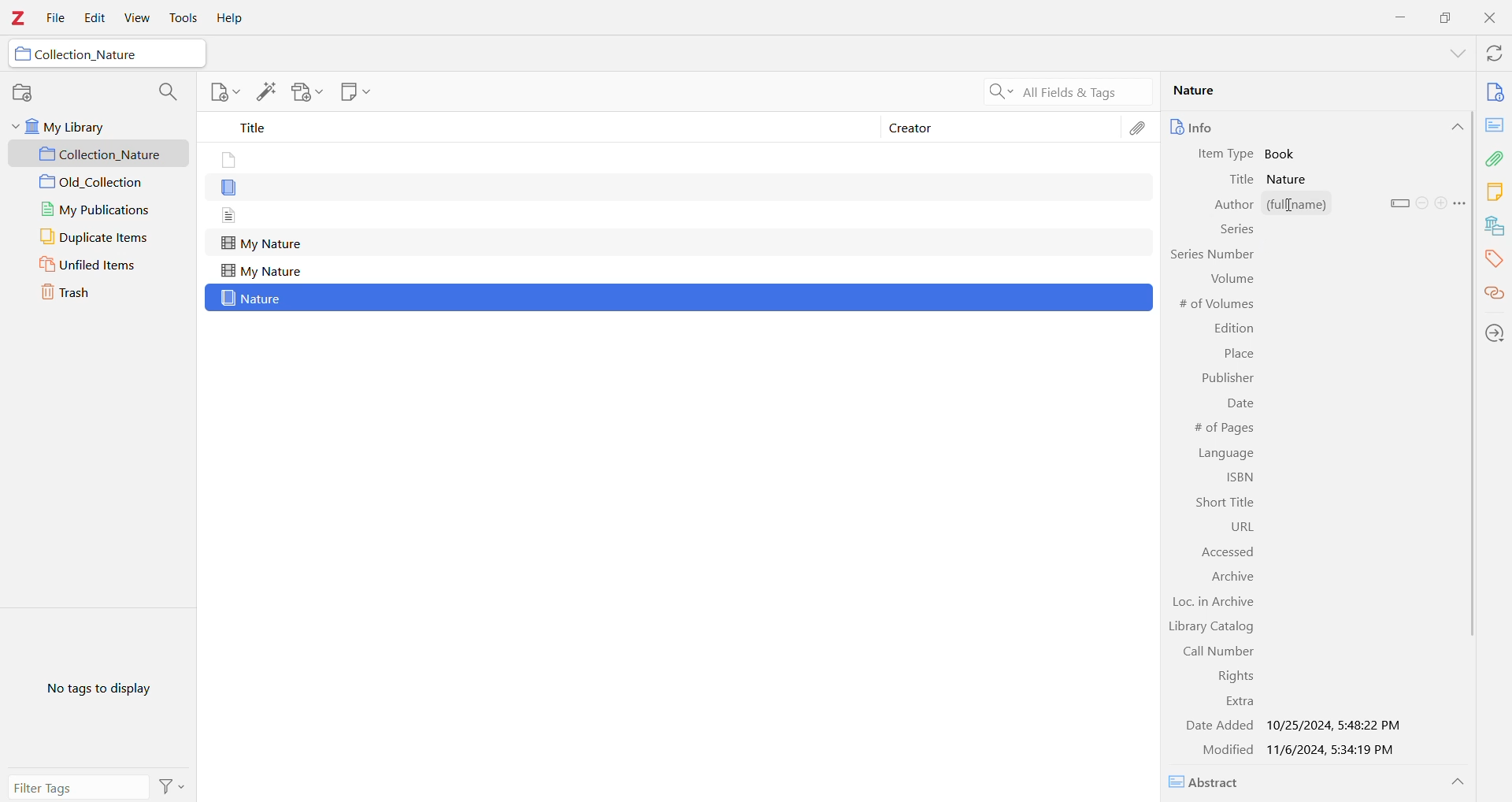 This screenshot has height=802, width=1512. What do you see at coordinates (1236, 232) in the screenshot?
I see `Series` at bounding box center [1236, 232].